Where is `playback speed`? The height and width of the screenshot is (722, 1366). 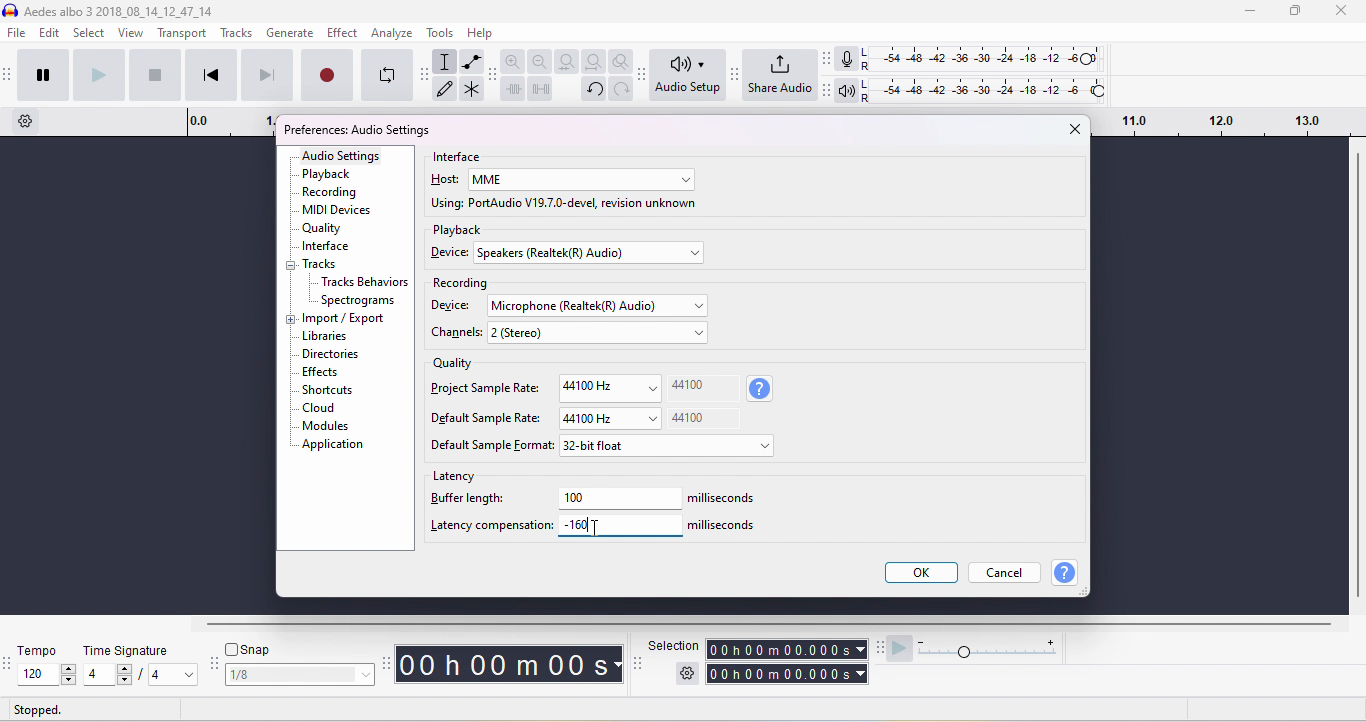 playback speed is located at coordinates (992, 649).